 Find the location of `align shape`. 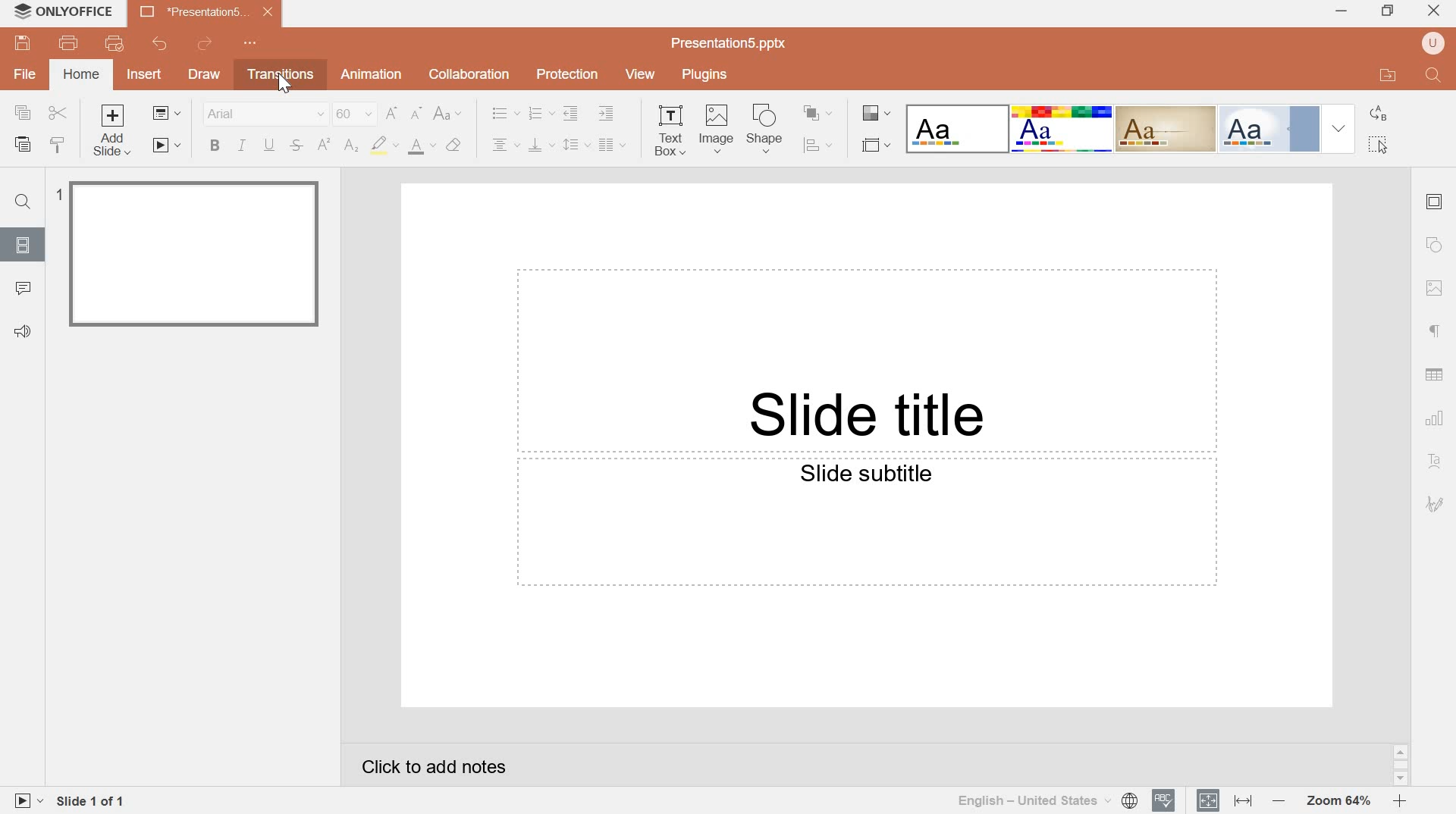

align shape is located at coordinates (820, 145).